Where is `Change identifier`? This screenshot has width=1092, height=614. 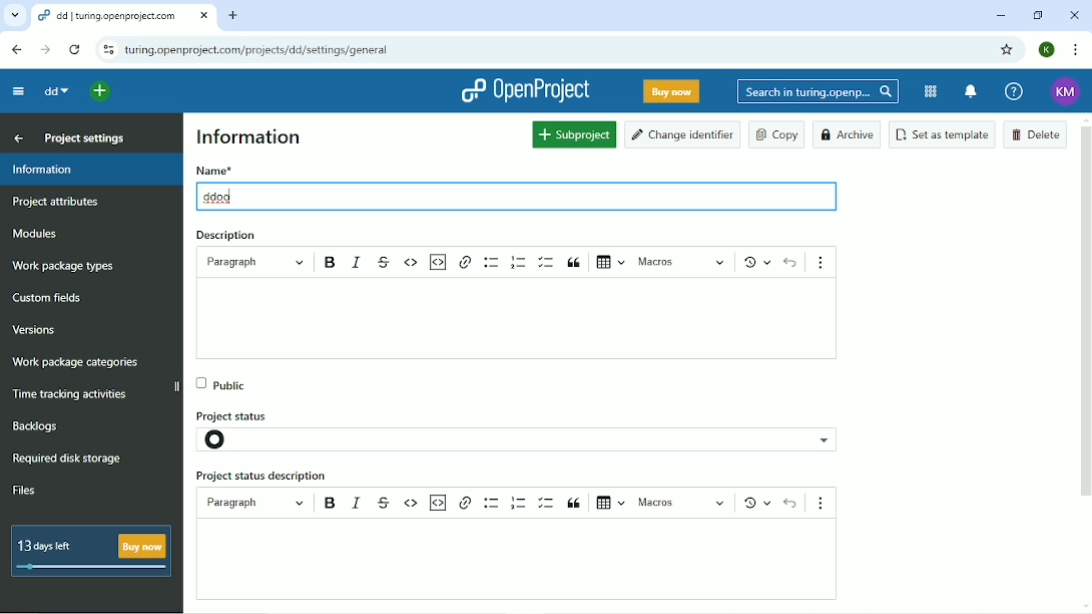 Change identifier is located at coordinates (683, 135).